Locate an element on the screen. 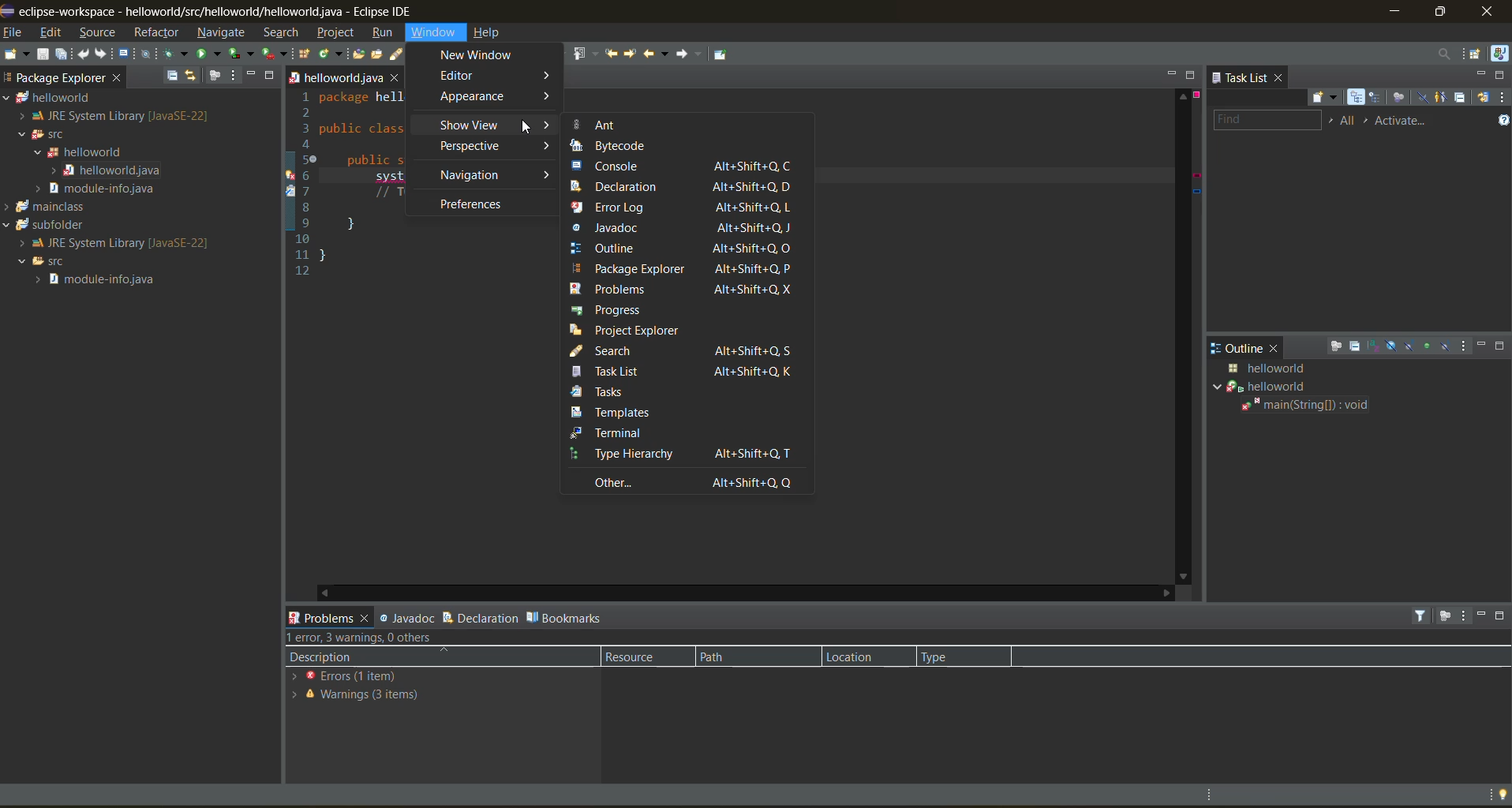 The height and width of the screenshot is (808, 1512). save is located at coordinates (42, 54).